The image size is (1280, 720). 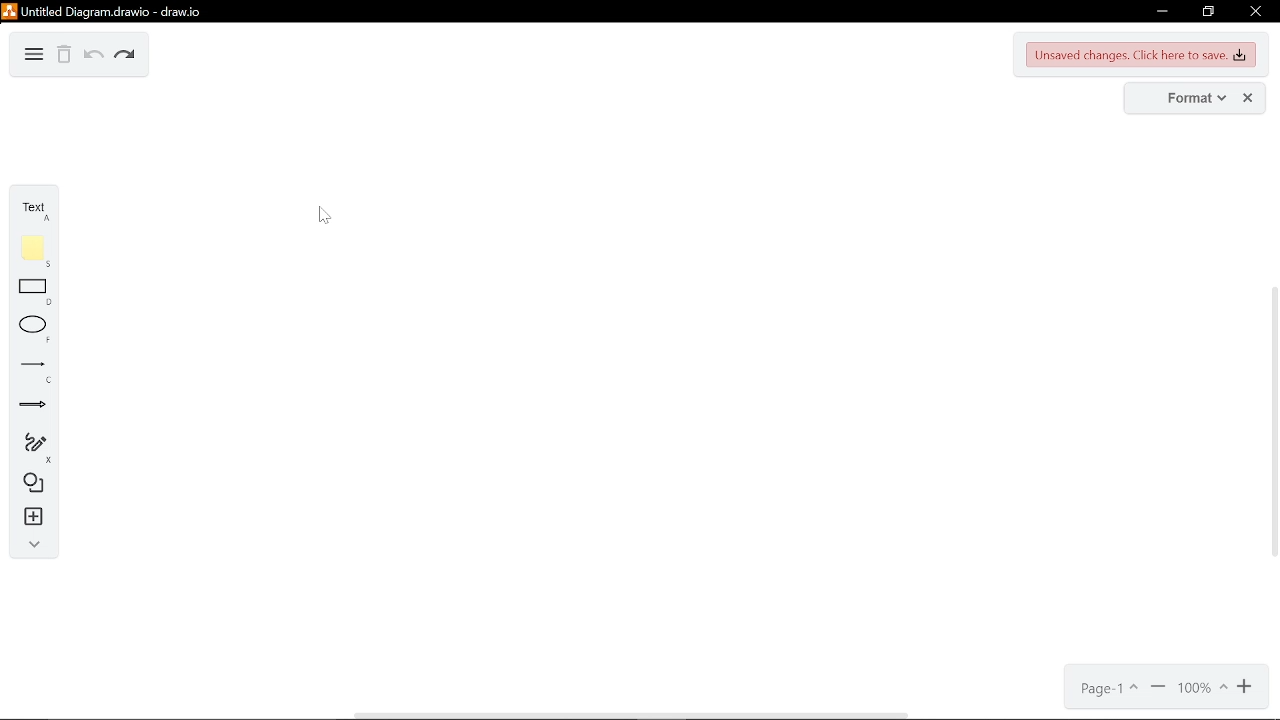 I want to click on redo, so click(x=126, y=57).